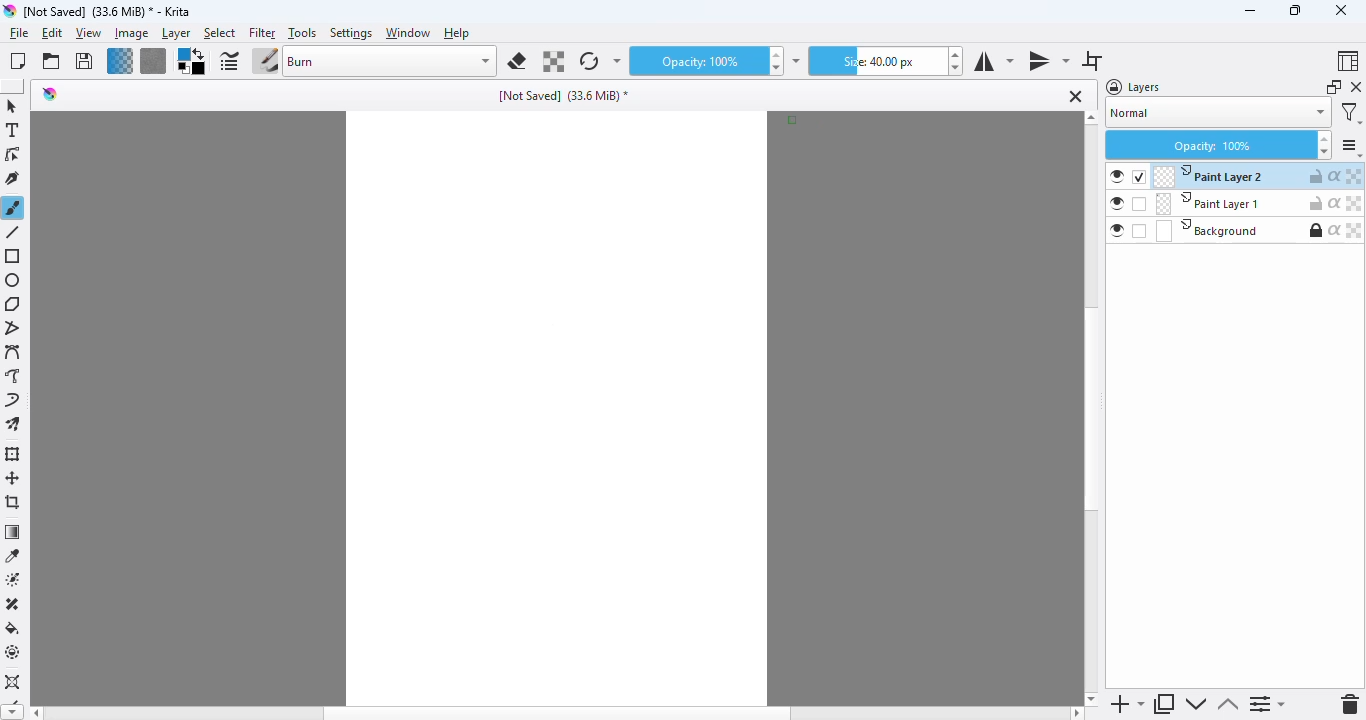  I want to click on move a layer, so click(13, 478).